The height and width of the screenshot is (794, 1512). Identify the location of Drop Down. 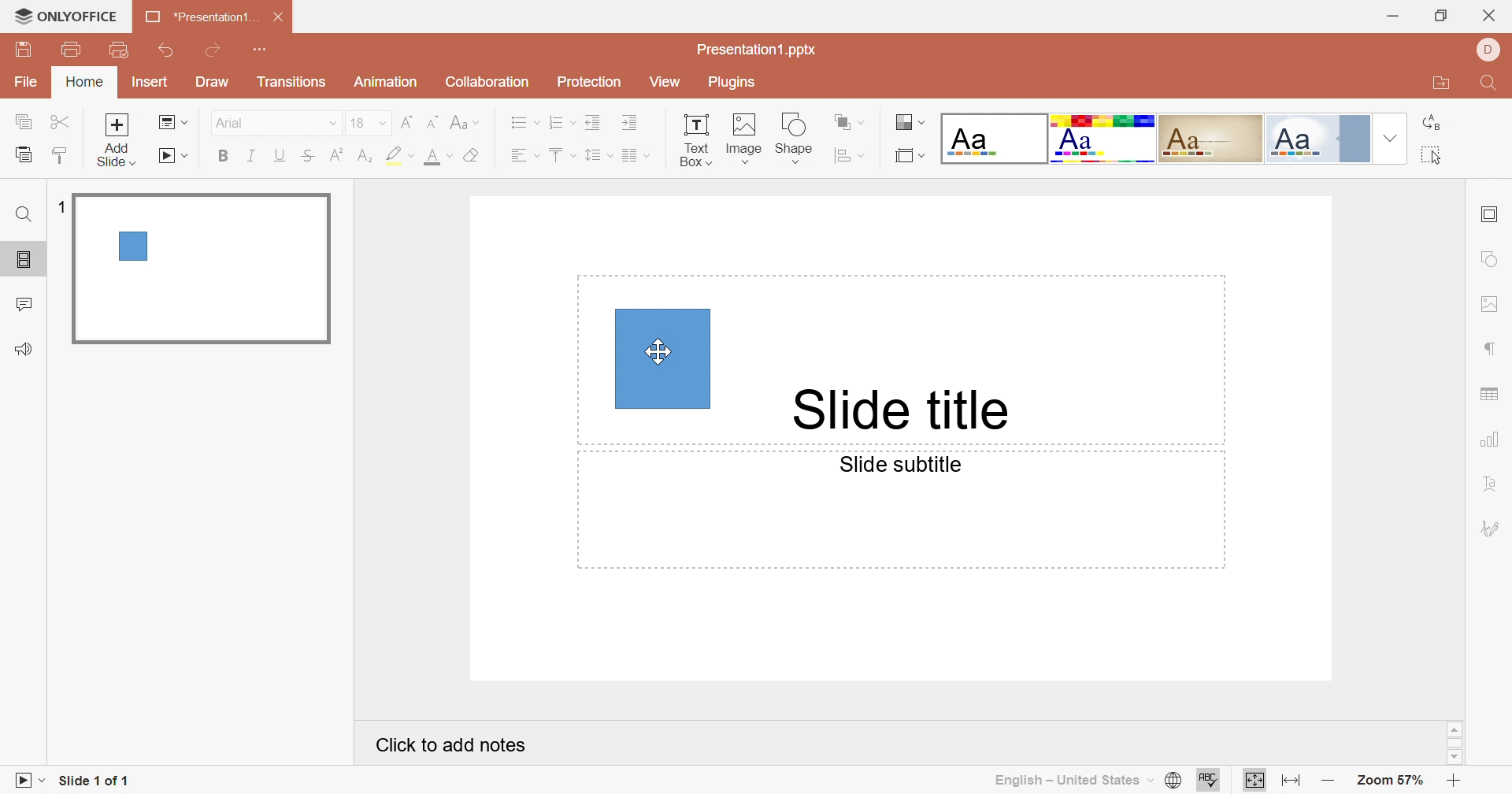
(1392, 140).